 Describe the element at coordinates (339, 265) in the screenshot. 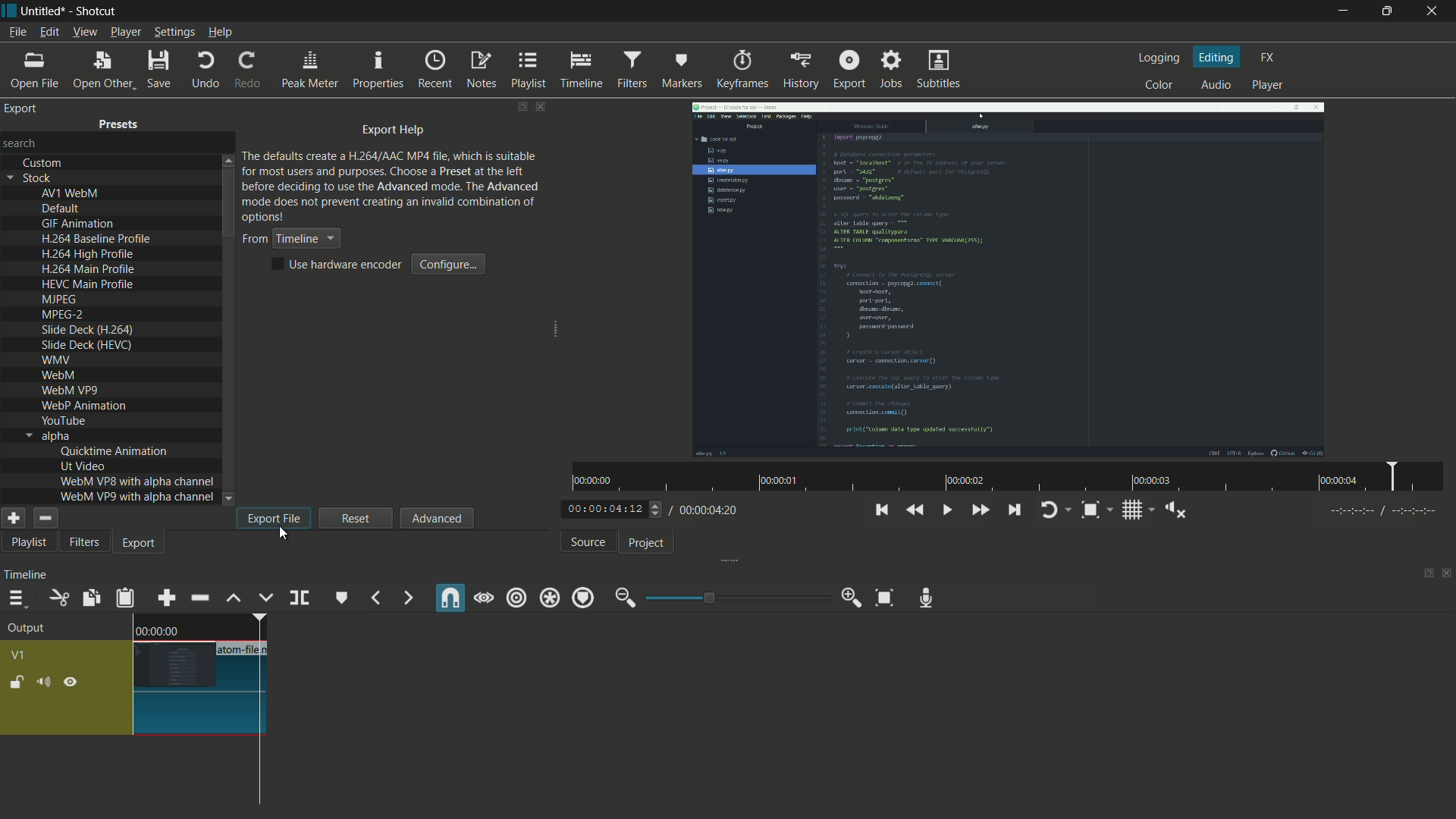

I see `use hardware encoder` at that location.